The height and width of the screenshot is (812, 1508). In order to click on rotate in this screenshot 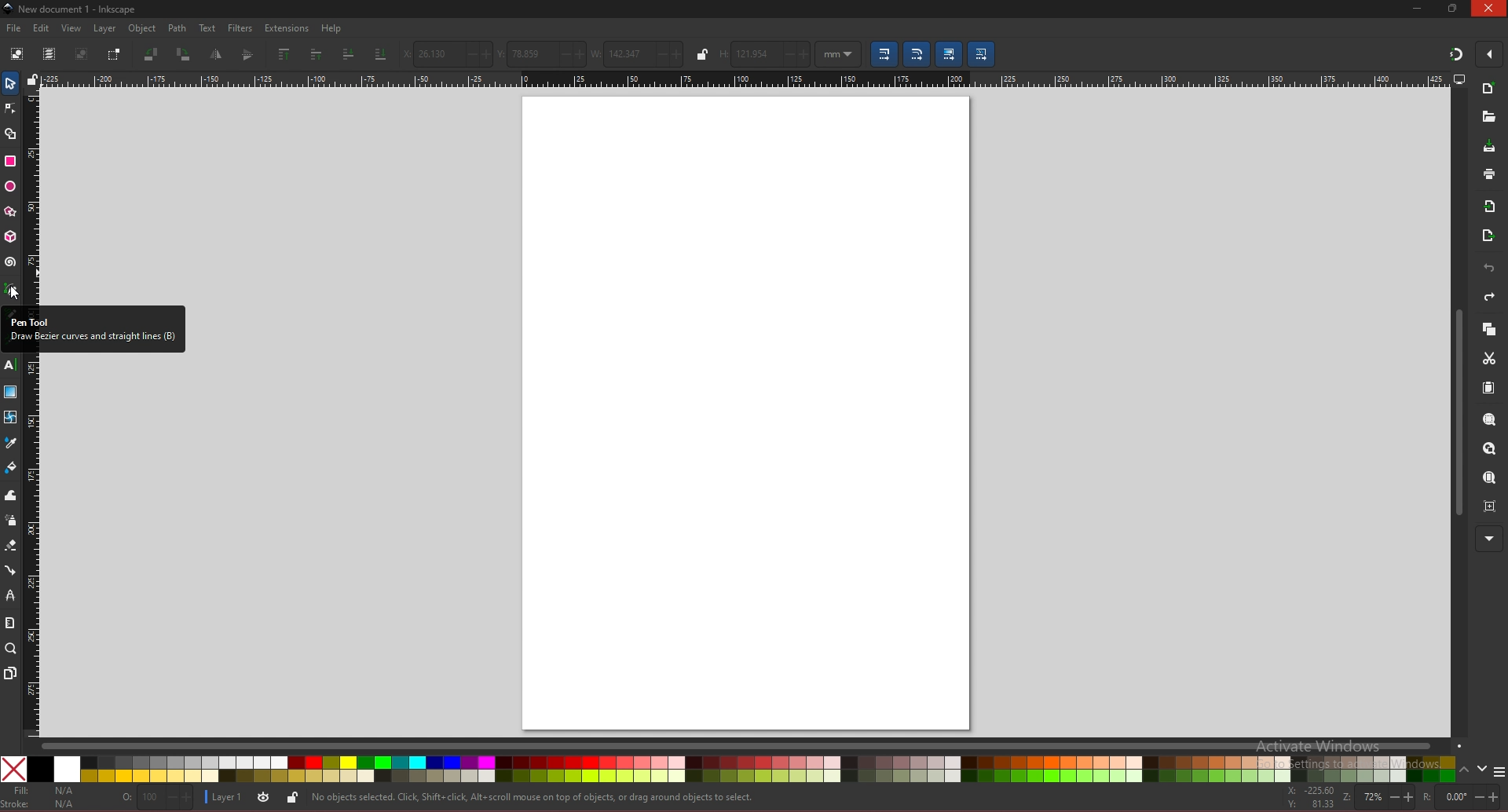, I will do `click(1459, 797)`.